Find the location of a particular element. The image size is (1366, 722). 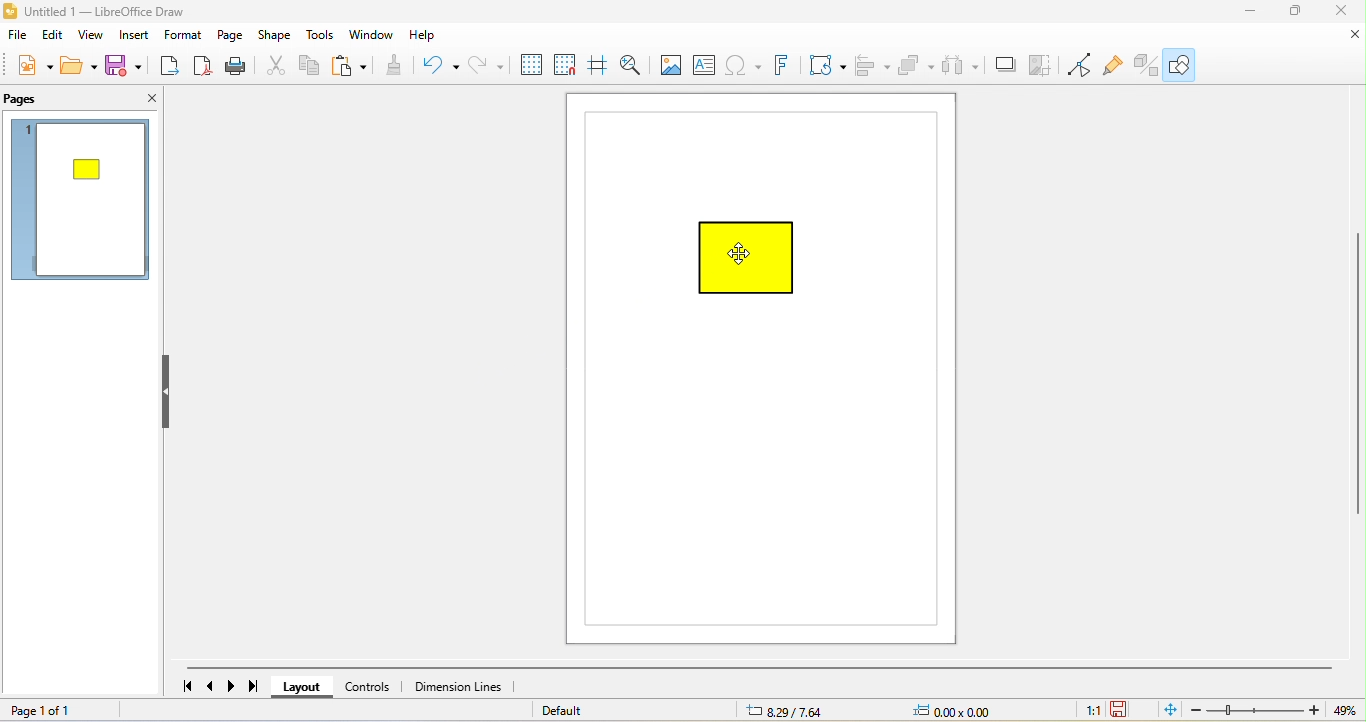

cut is located at coordinates (275, 65).